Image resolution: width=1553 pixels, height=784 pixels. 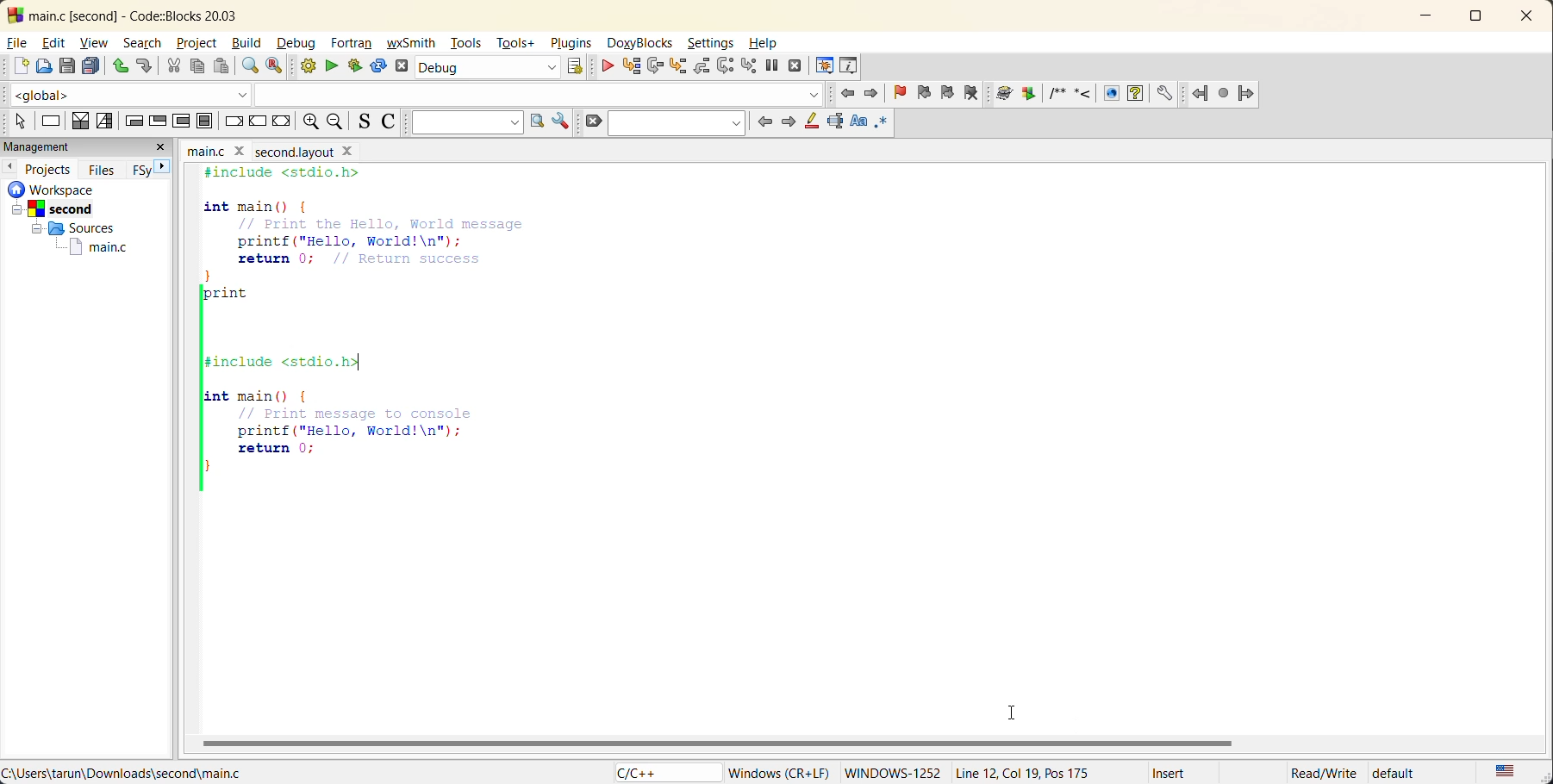 What do you see at coordinates (9, 168) in the screenshot?
I see `previous` at bounding box center [9, 168].